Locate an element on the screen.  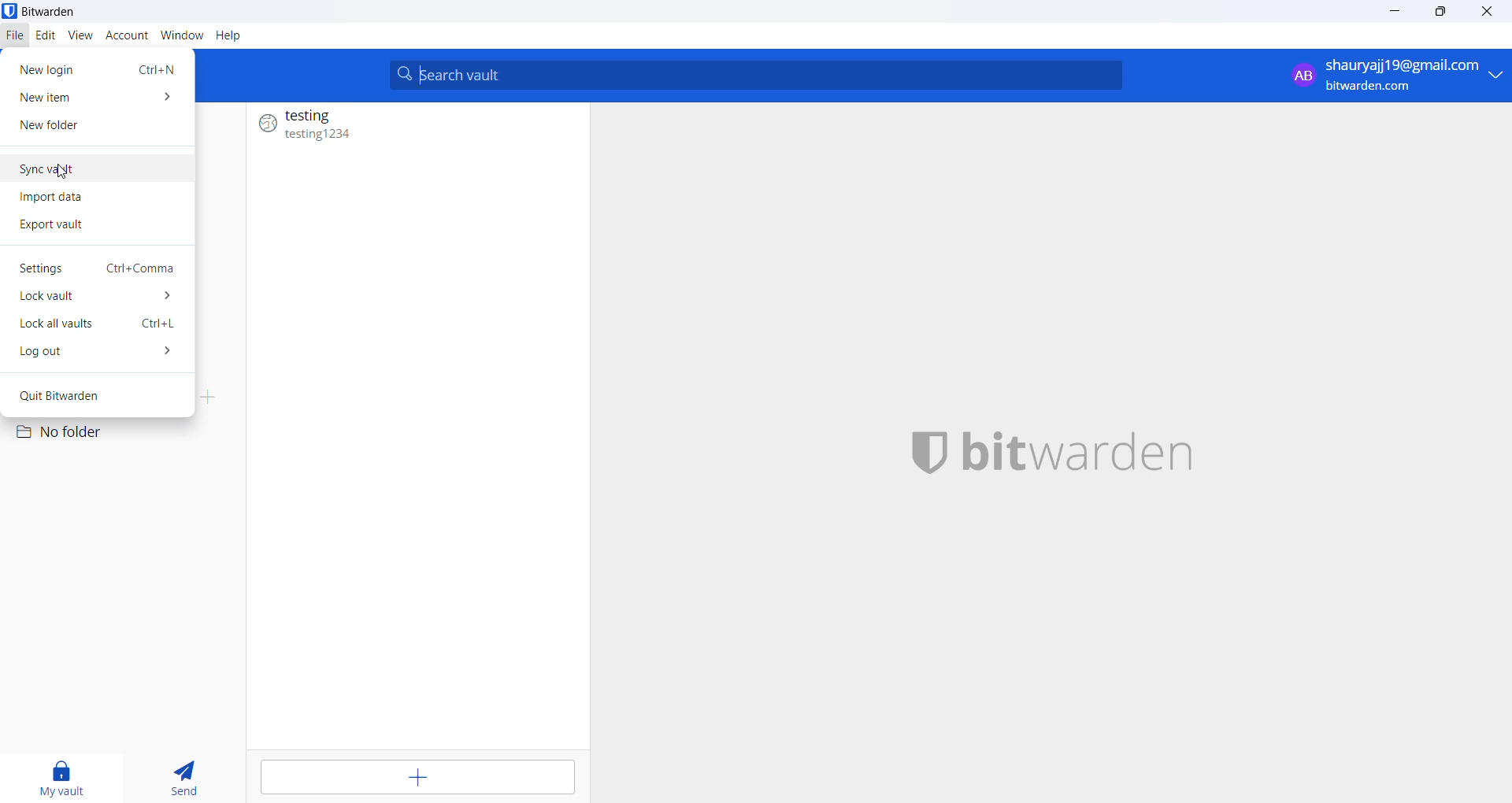
maximize is located at coordinates (1440, 13).